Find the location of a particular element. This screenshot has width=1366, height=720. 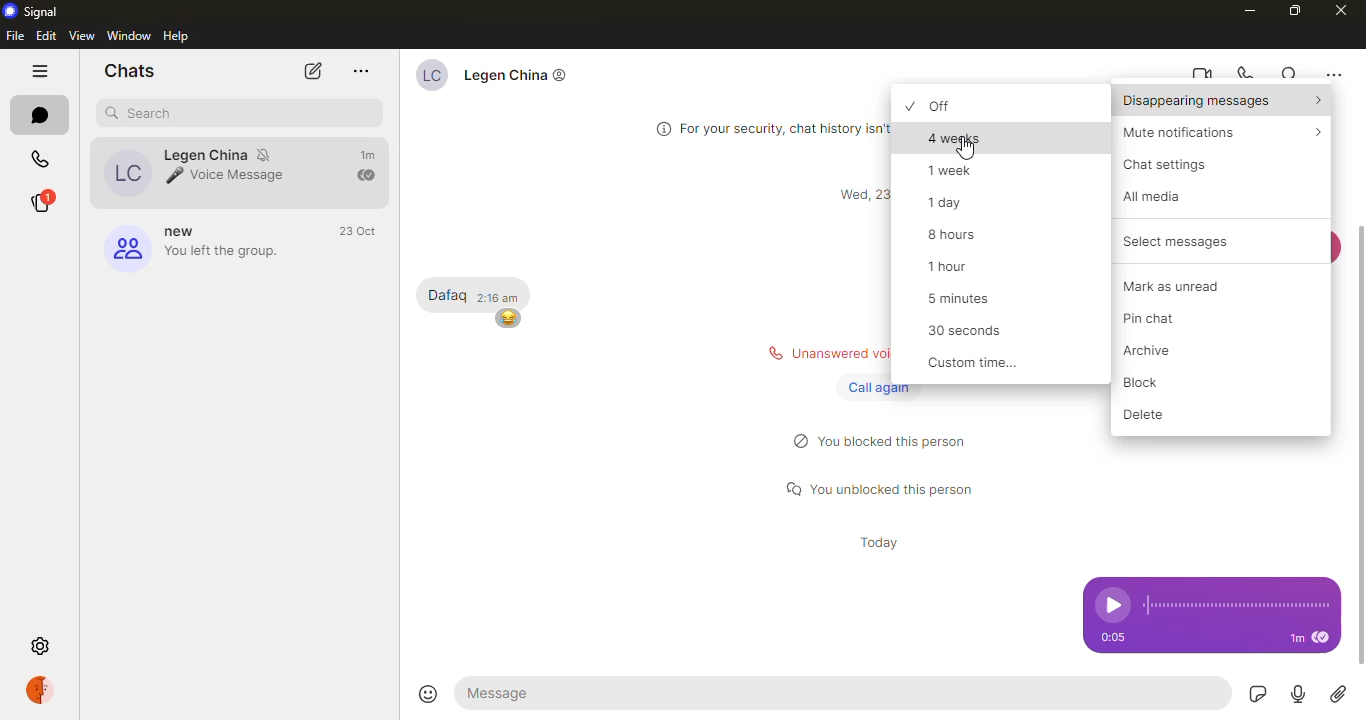

emoji is located at coordinates (506, 319).